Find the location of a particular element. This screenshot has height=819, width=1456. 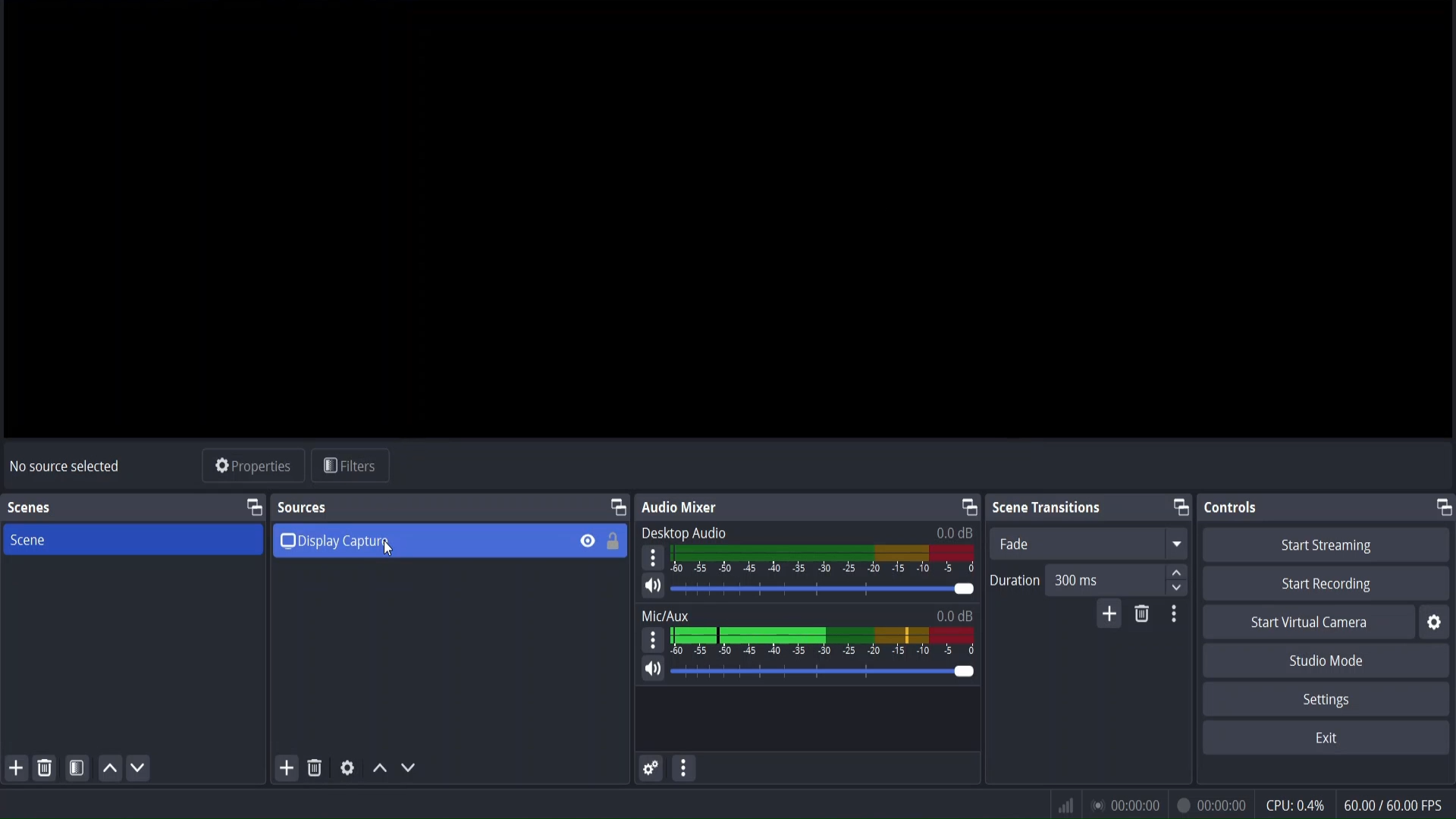

duration is located at coordinates (1077, 582).